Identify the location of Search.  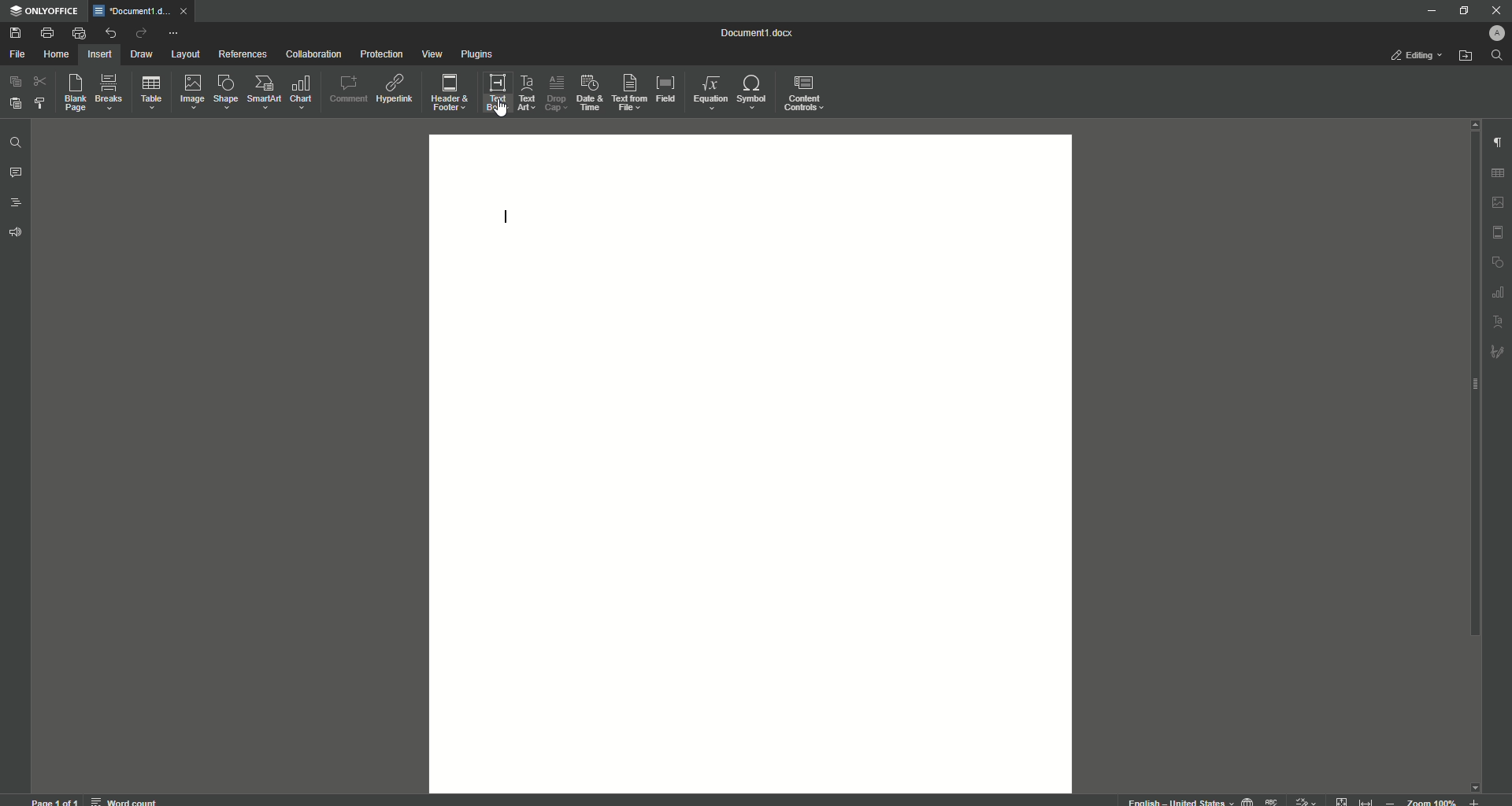
(1497, 56).